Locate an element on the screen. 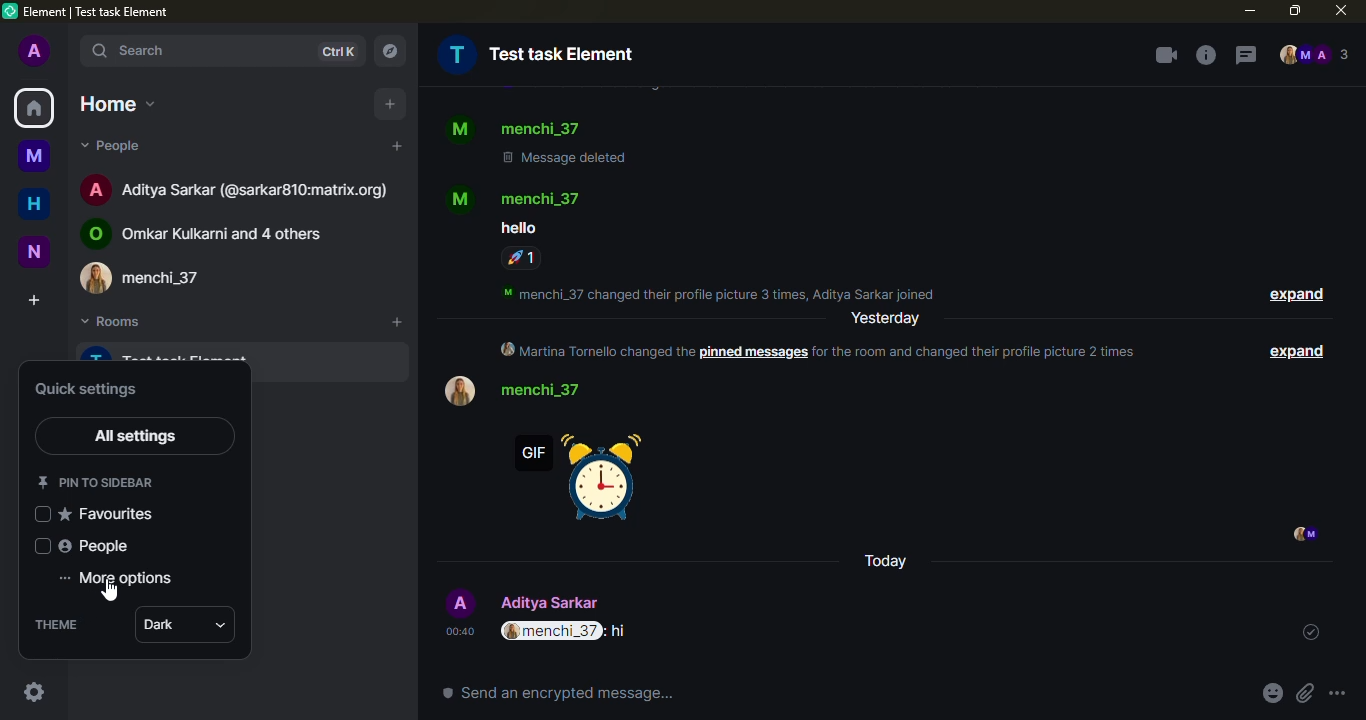 Image resolution: width=1366 pixels, height=720 pixels. video call is located at coordinates (1163, 55).